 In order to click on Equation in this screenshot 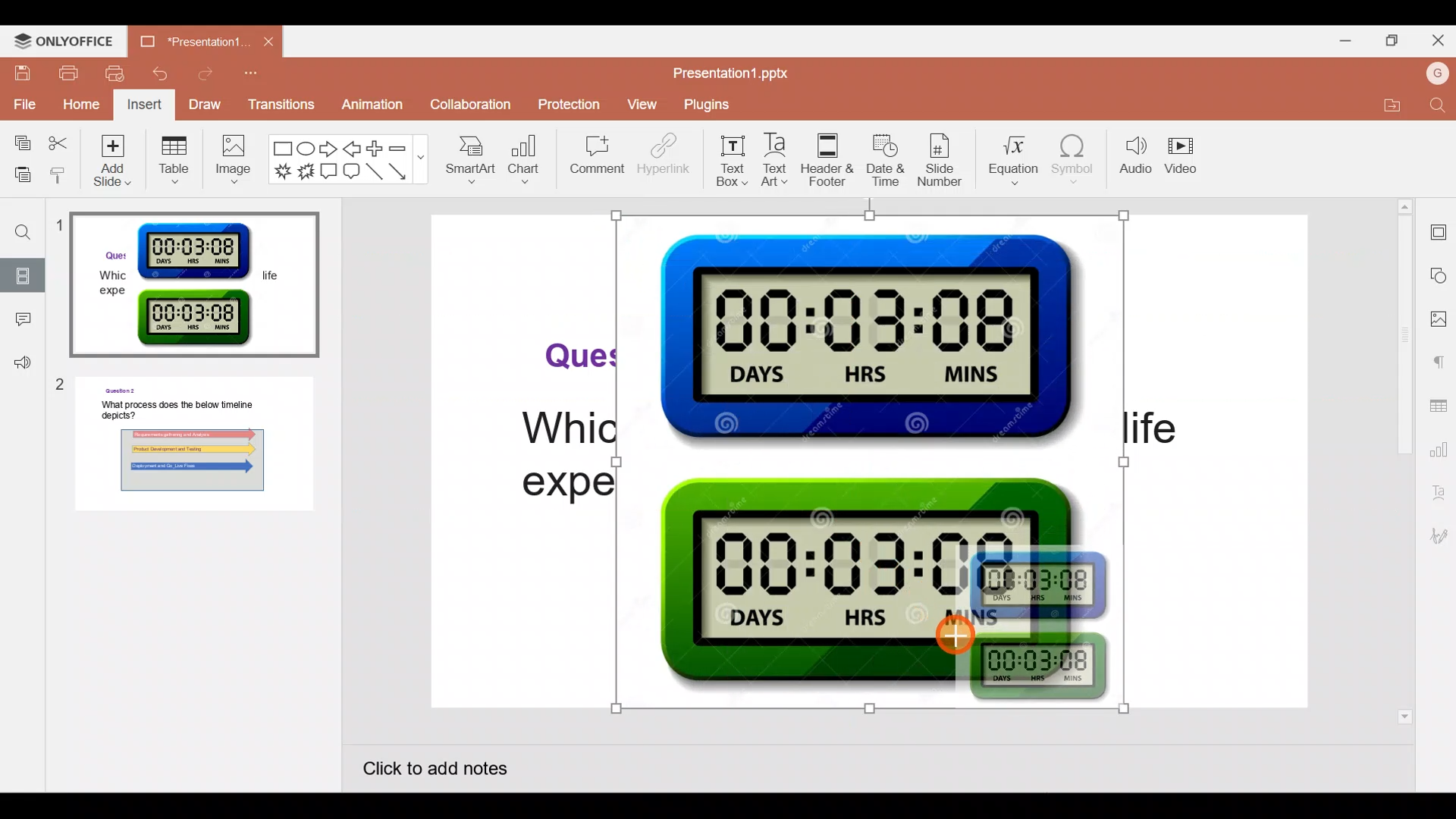, I will do `click(1014, 160)`.